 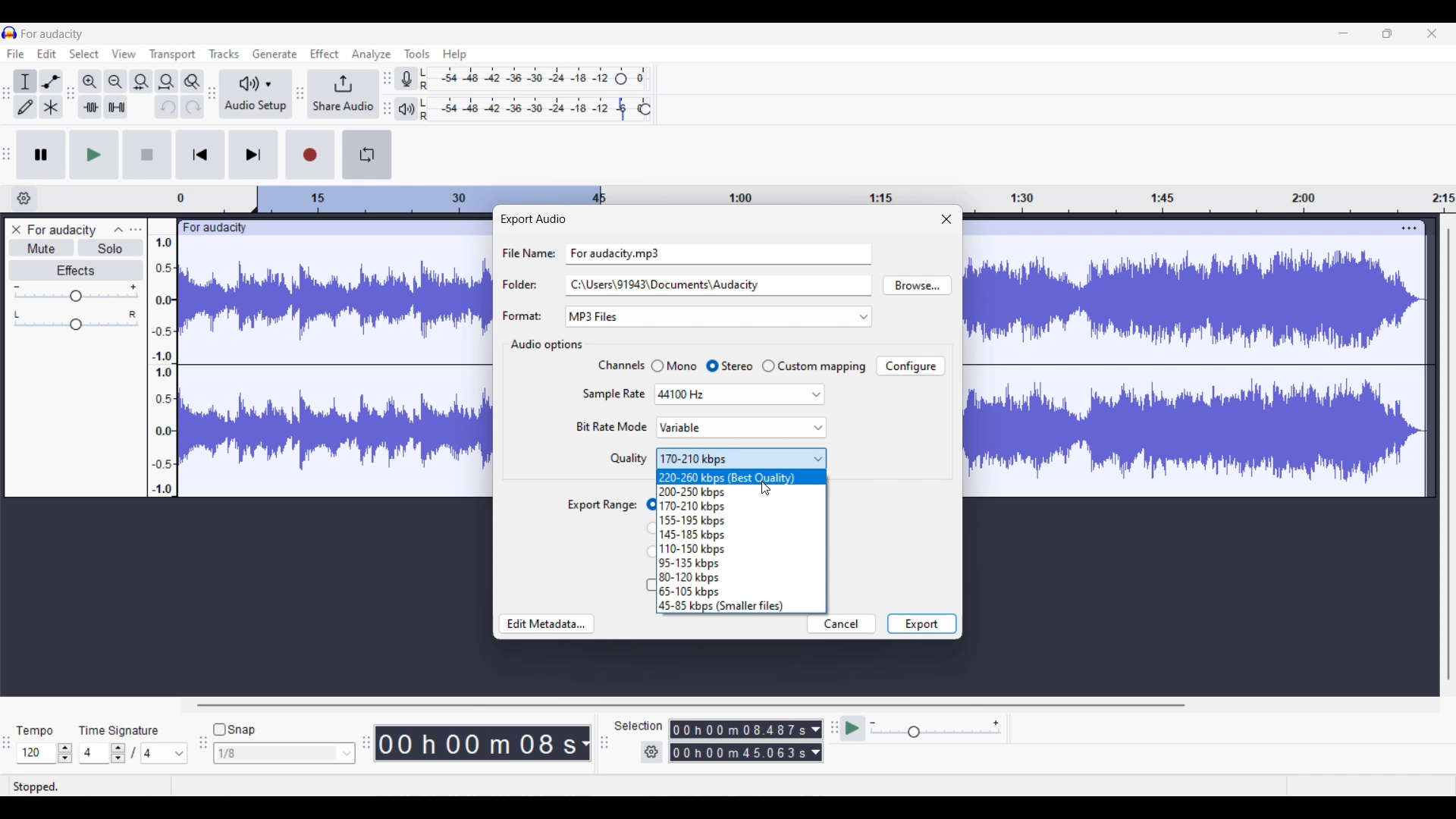 What do you see at coordinates (816, 730) in the screenshot?
I see `Duration measurement` at bounding box center [816, 730].